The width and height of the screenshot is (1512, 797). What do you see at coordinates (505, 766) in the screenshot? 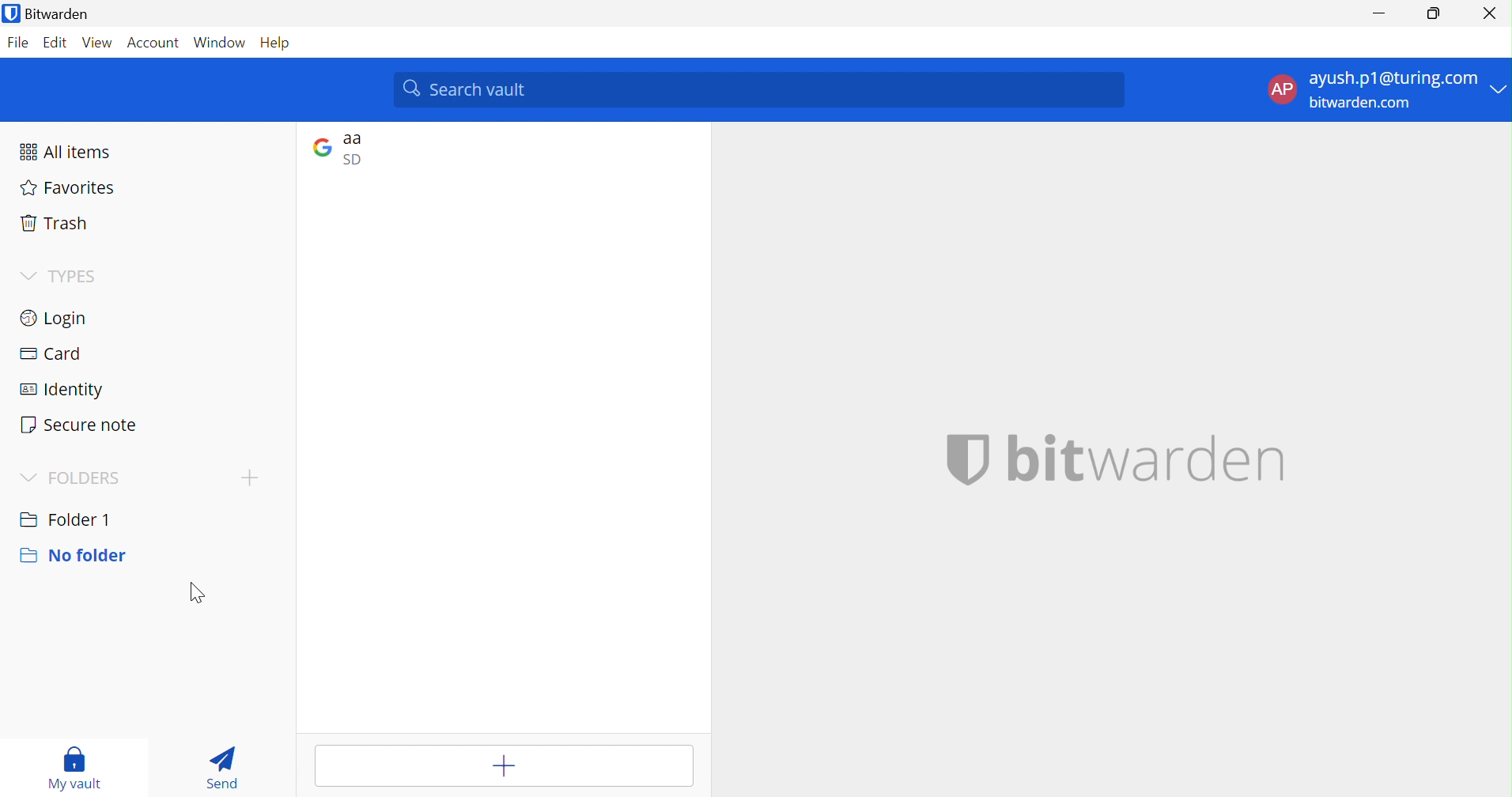
I see `Add item` at bounding box center [505, 766].